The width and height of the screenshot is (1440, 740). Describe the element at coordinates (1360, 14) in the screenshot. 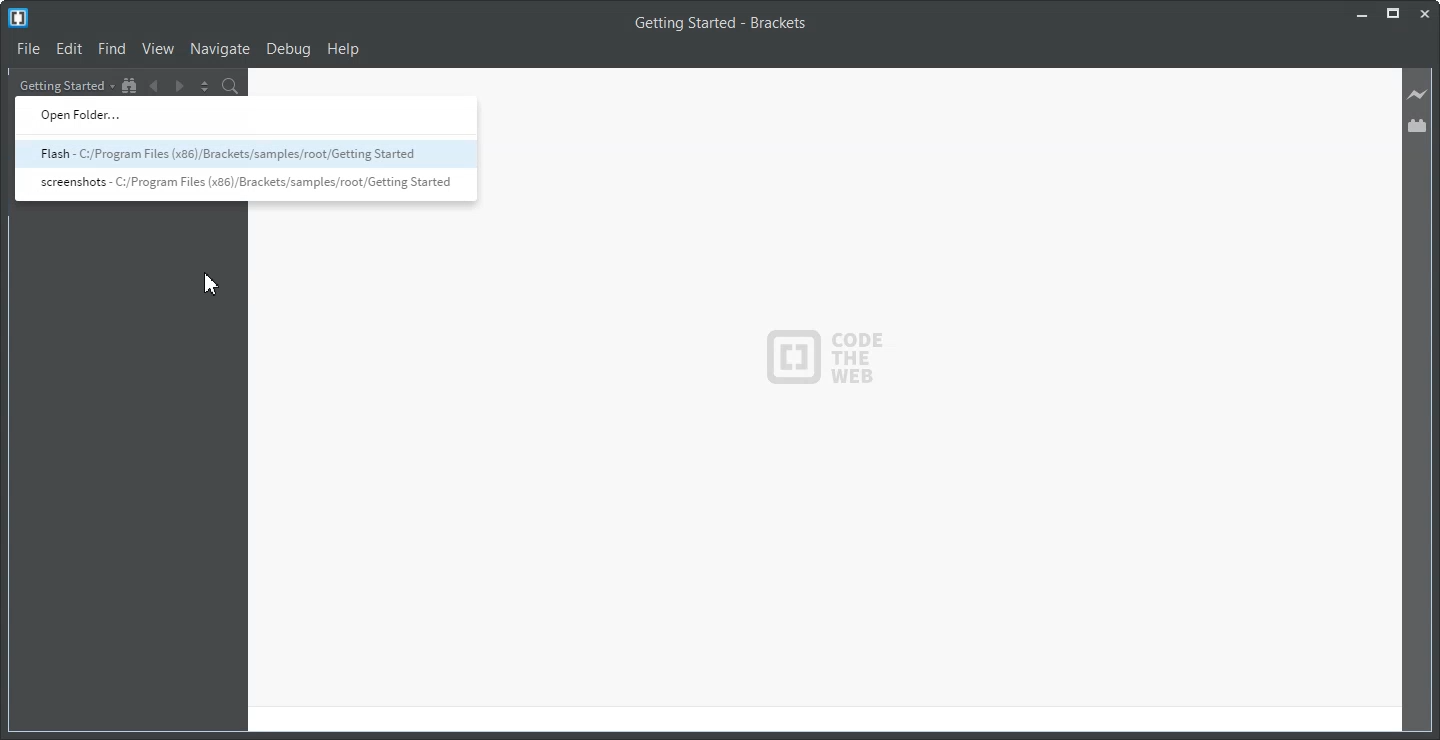

I see `Minimize` at that location.